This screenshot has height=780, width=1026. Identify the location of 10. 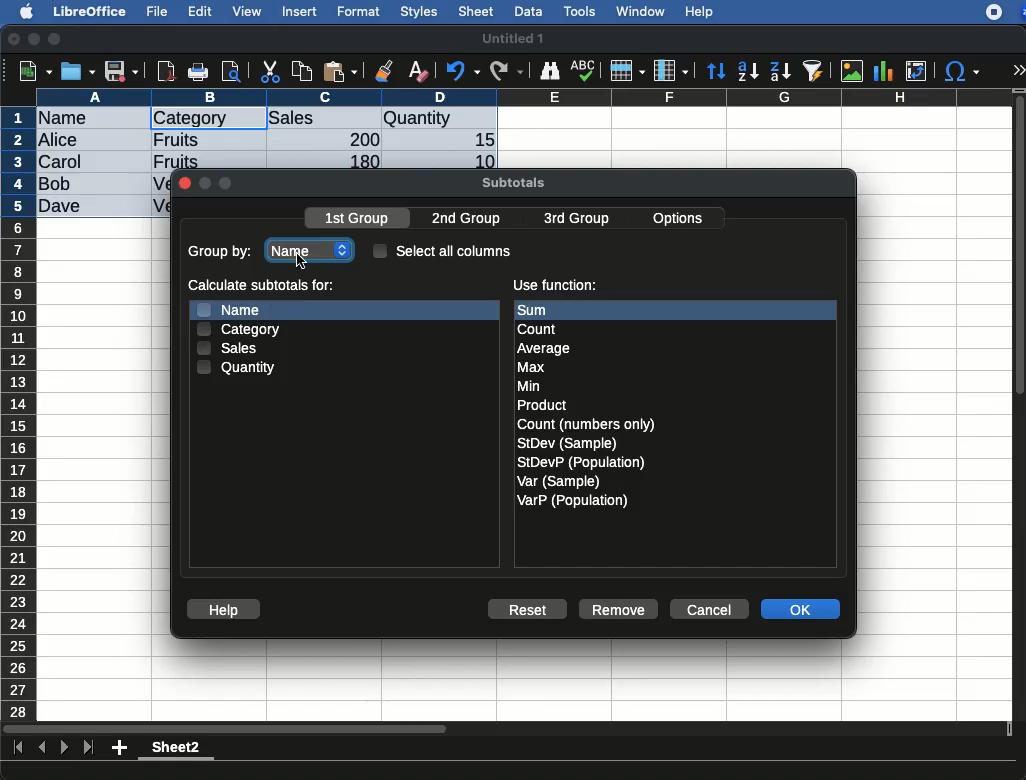
(479, 160).